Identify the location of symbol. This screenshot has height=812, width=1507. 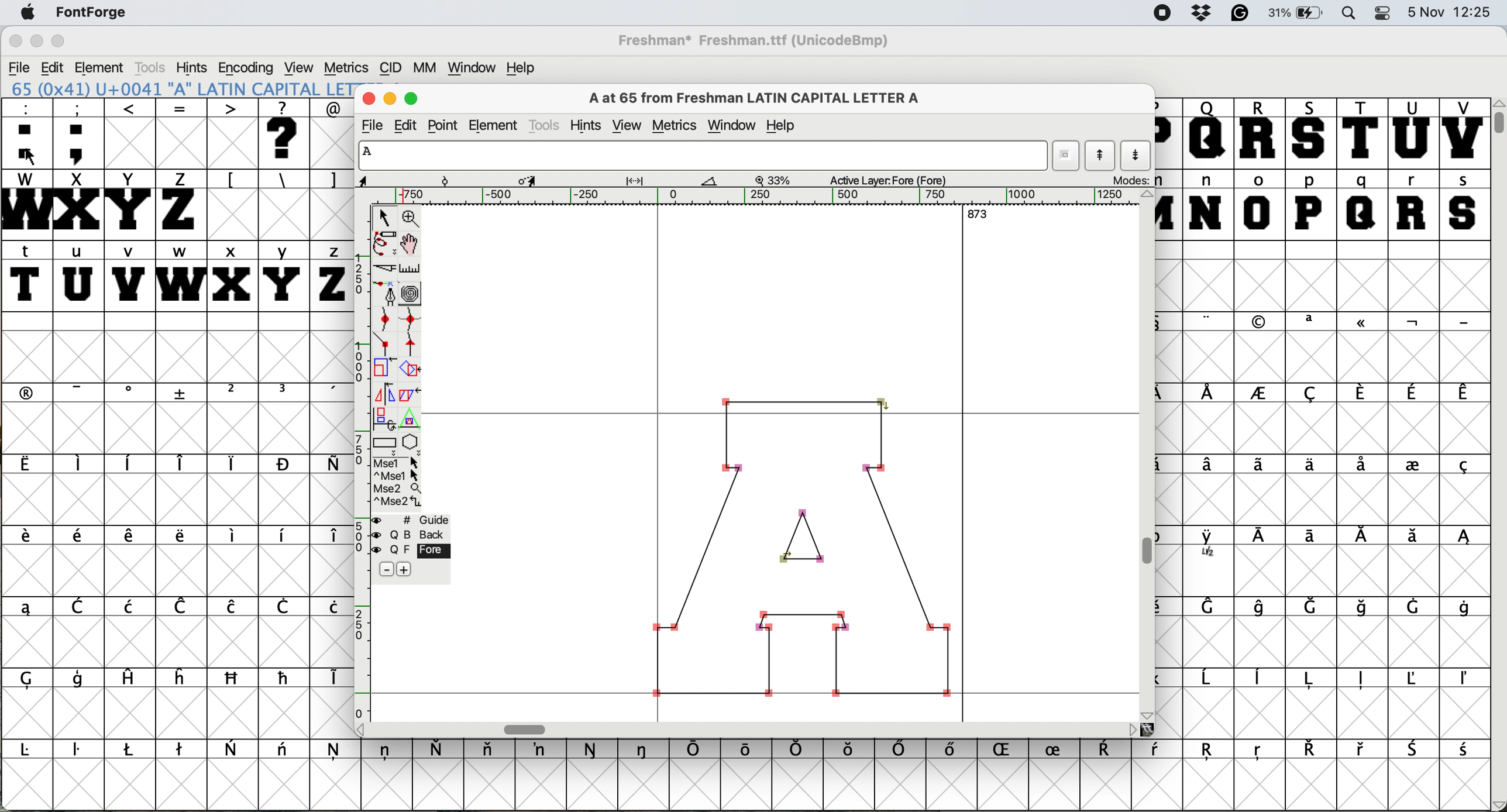
(80, 752).